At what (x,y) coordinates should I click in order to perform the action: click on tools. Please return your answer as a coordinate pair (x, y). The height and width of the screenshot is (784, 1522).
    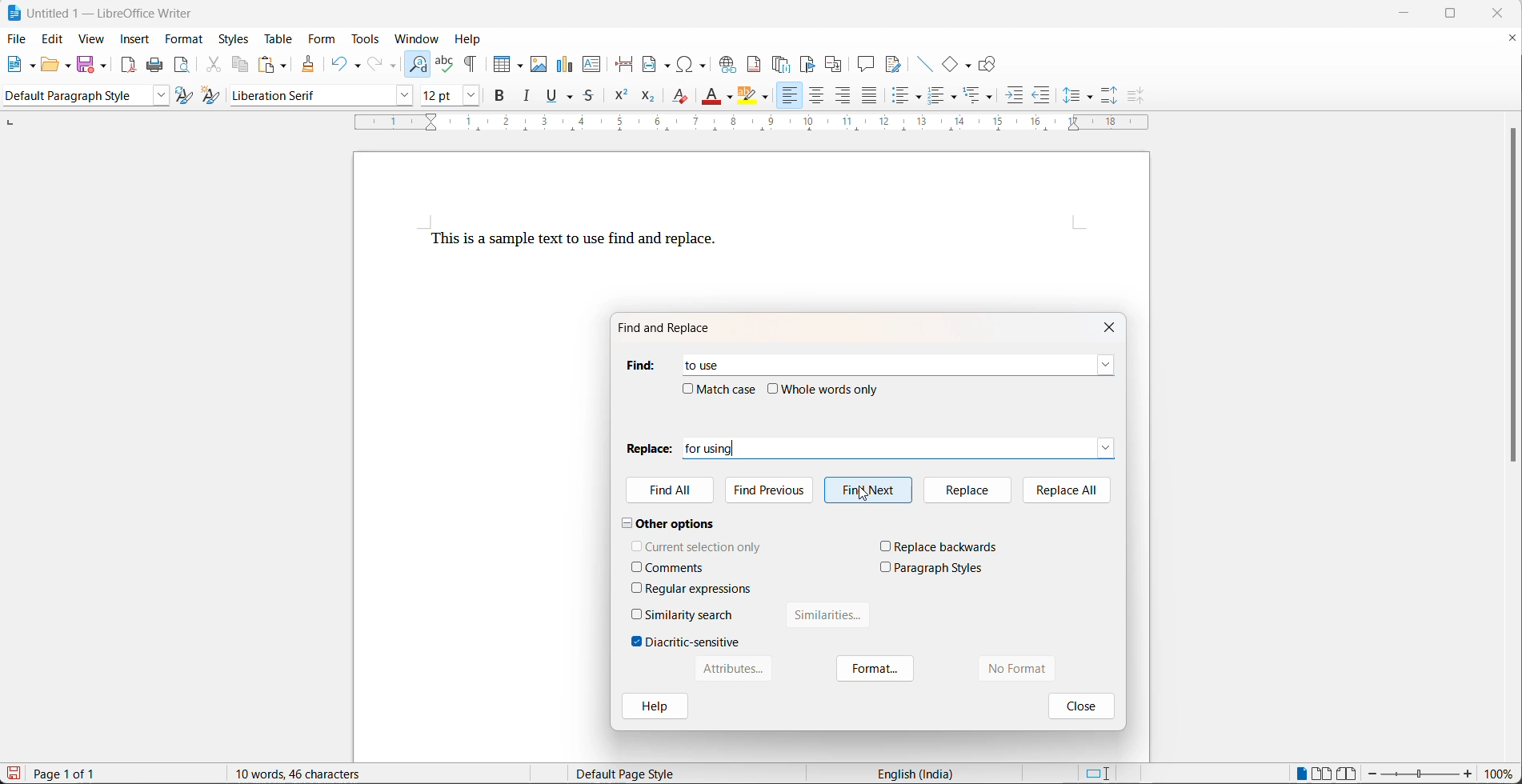
    Looking at the image, I should click on (368, 39).